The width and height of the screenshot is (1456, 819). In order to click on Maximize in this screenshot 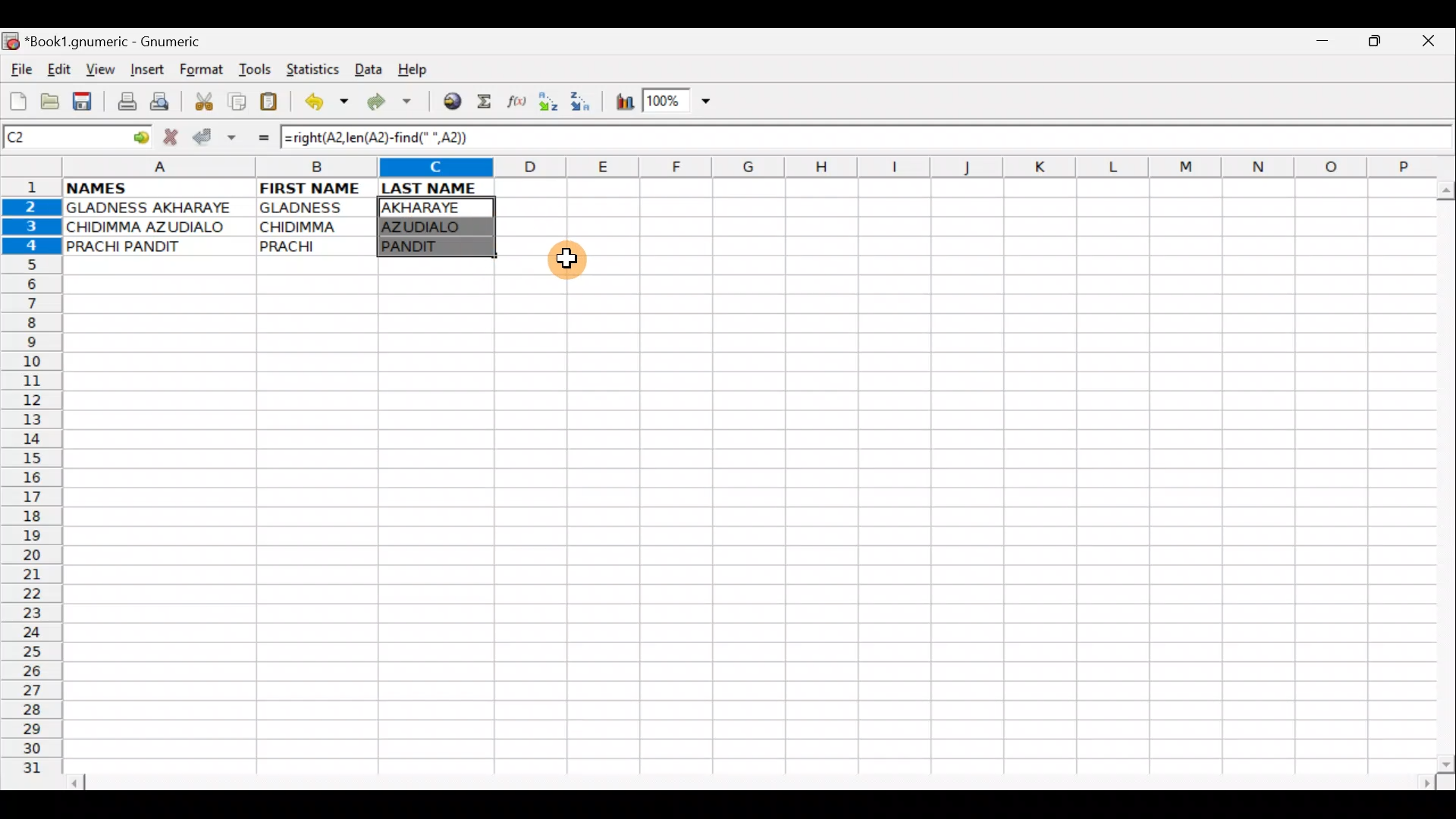, I will do `click(1377, 44)`.